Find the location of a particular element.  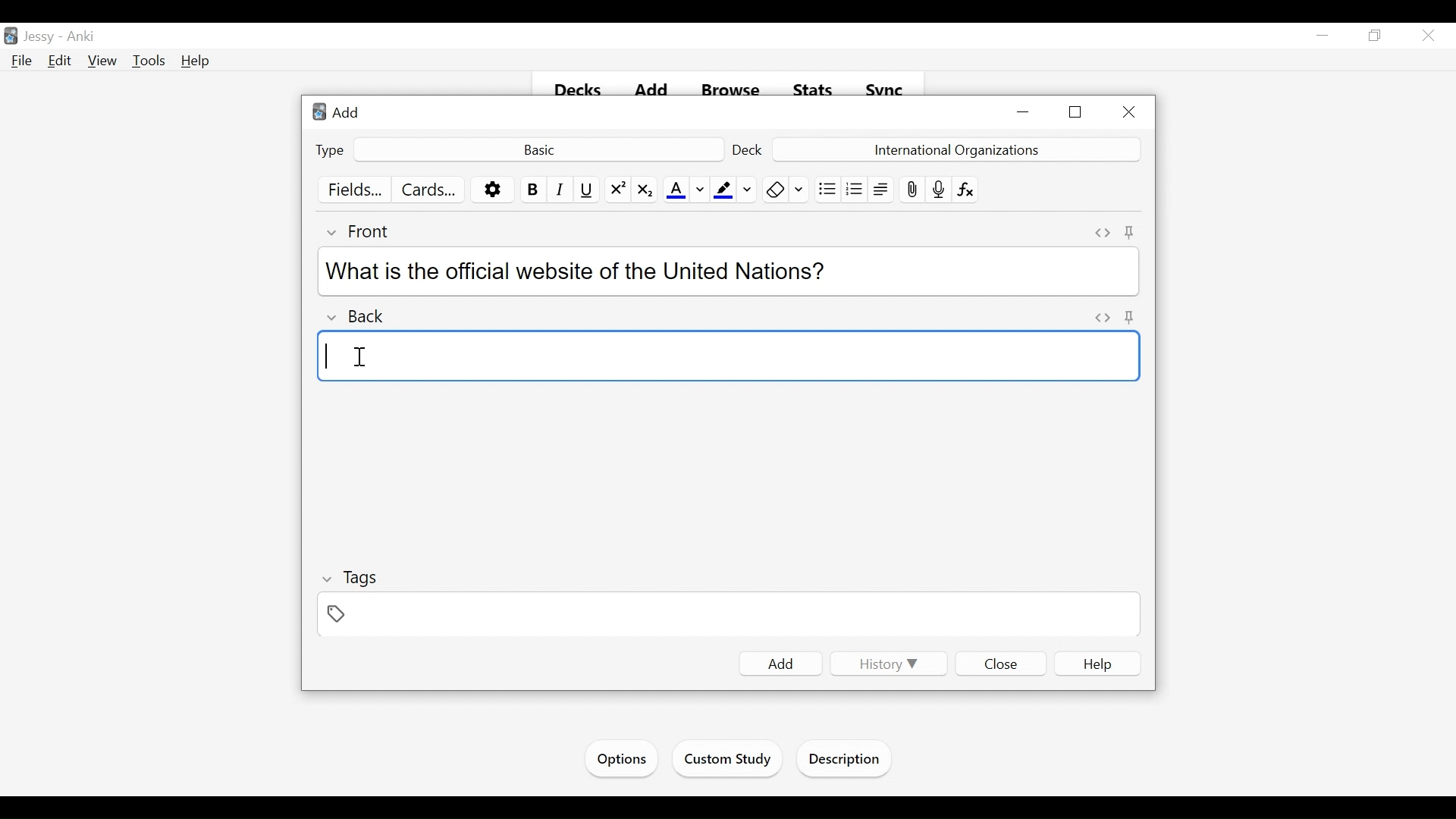

Pin is located at coordinates (1131, 318).